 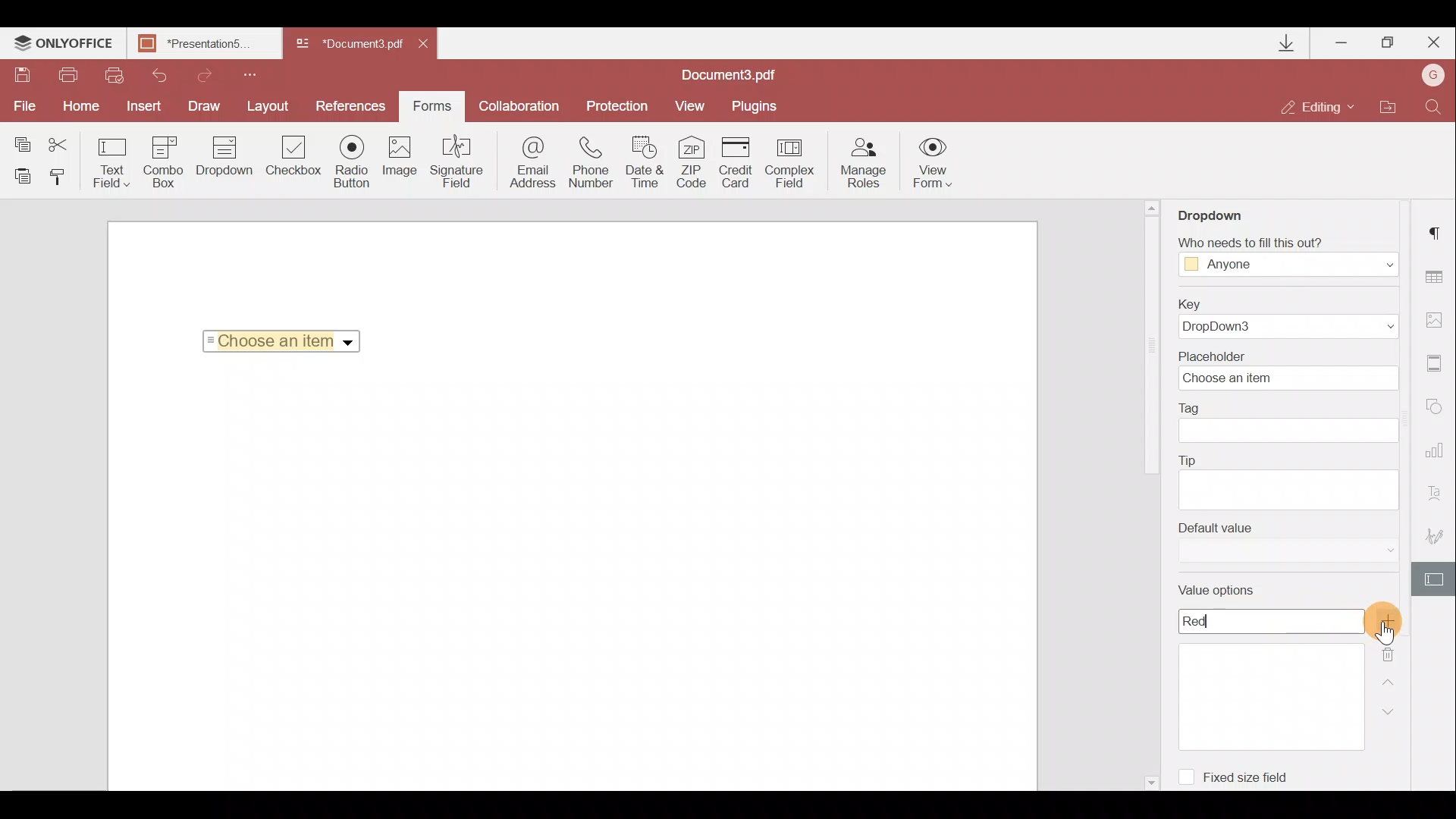 What do you see at coordinates (347, 45) in the screenshot?
I see `Document name` at bounding box center [347, 45].